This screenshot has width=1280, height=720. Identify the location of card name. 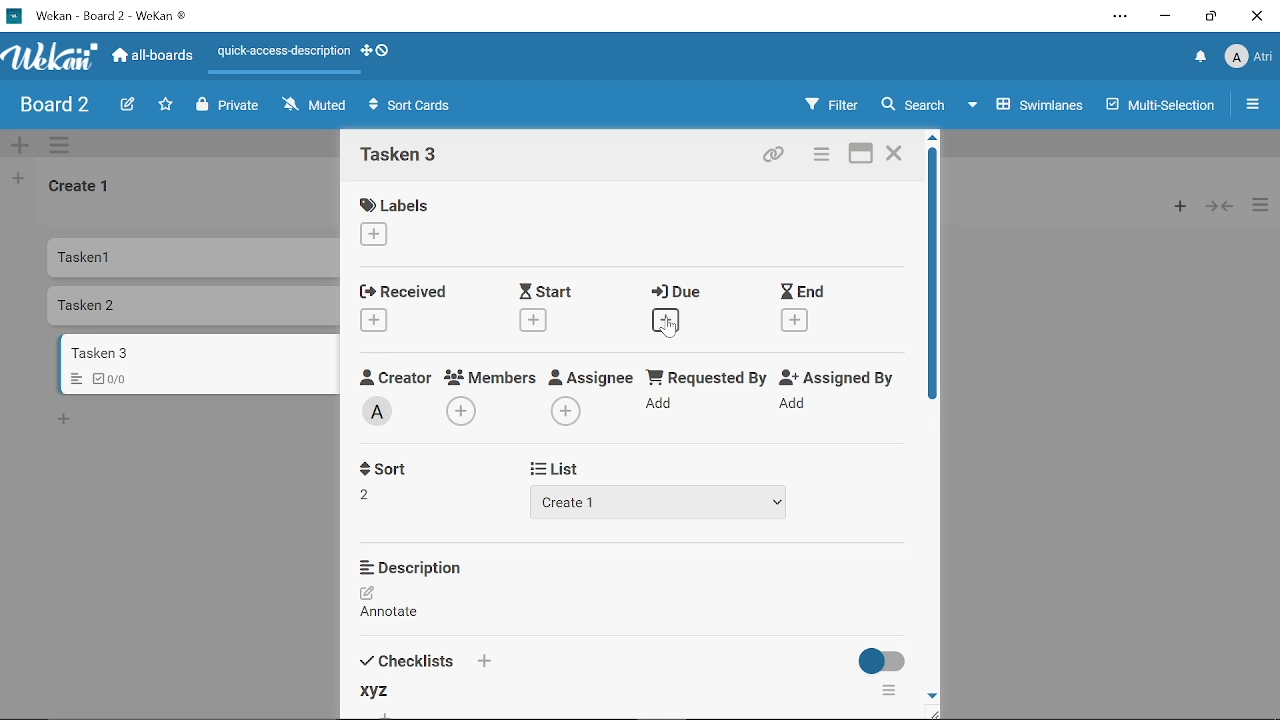
(399, 157).